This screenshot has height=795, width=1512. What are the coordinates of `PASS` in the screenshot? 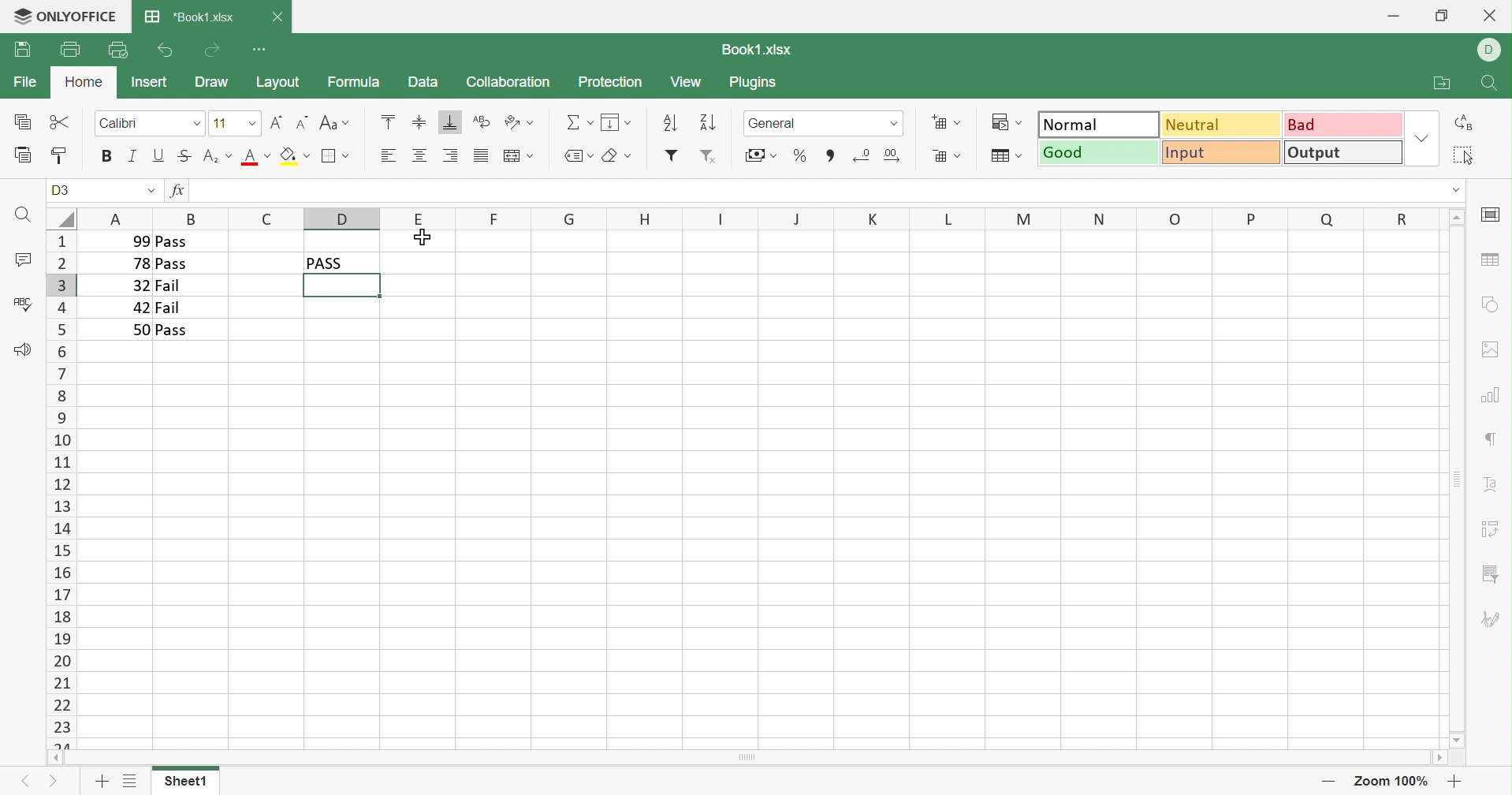 It's located at (328, 263).